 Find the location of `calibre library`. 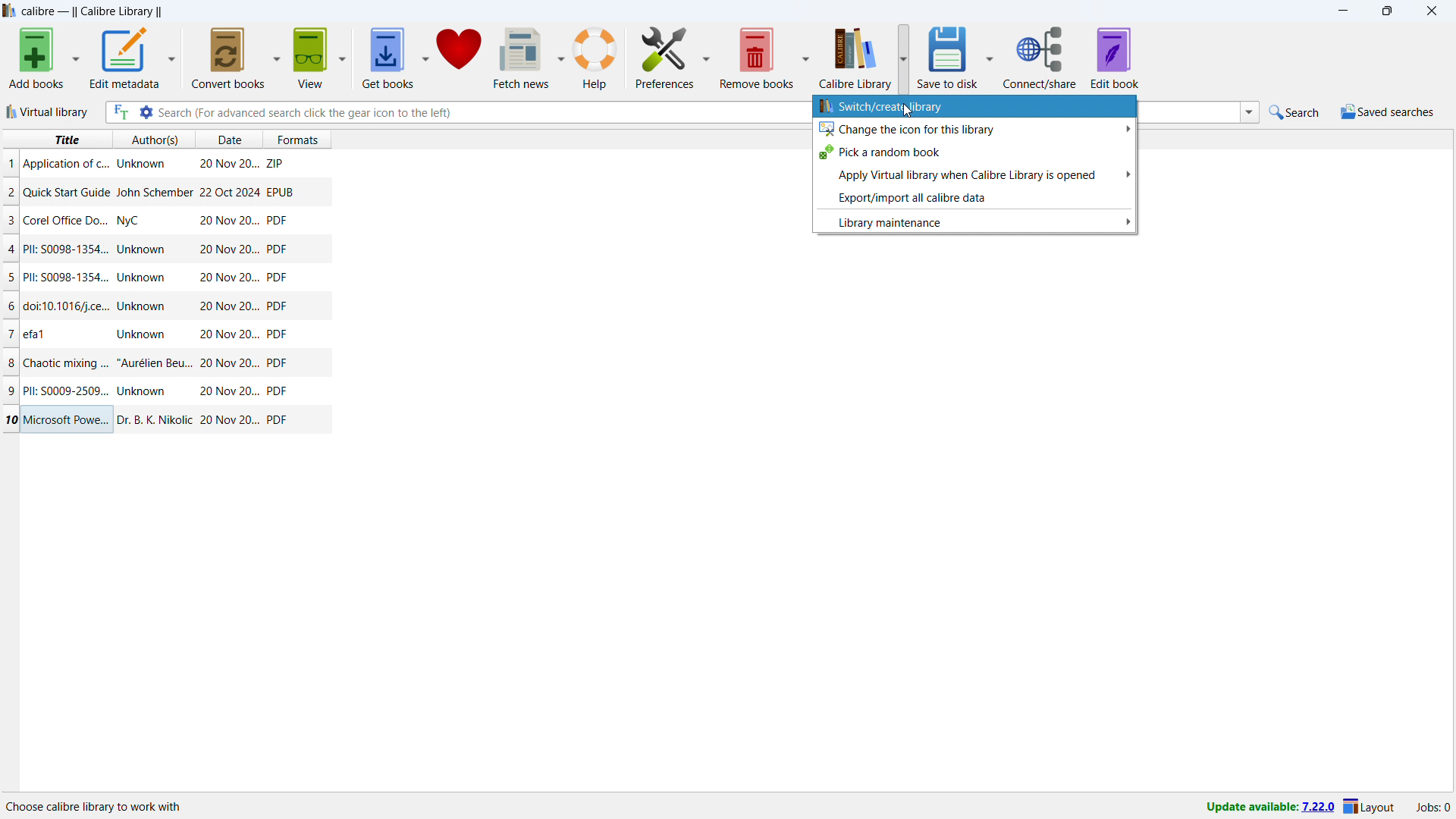

calibre library is located at coordinates (852, 60).